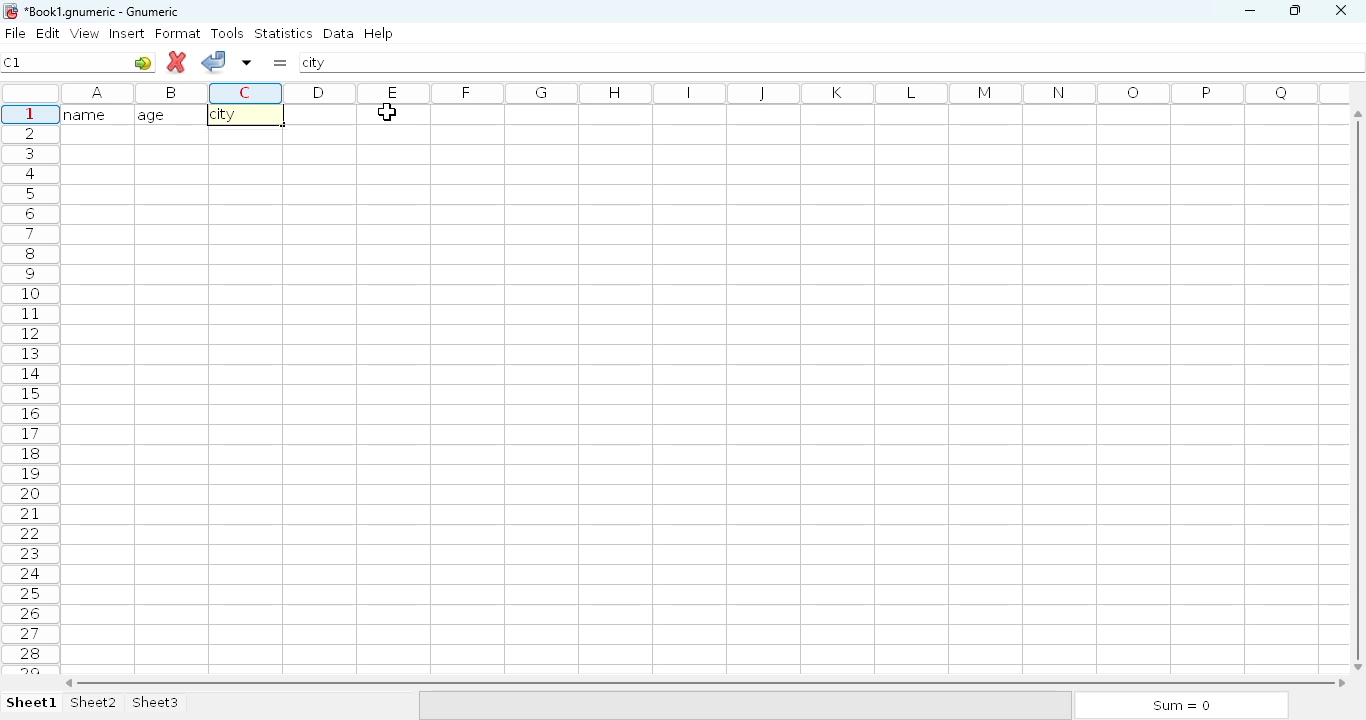 The width and height of the screenshot is (1366, 720). I want to click on help, so click(378, 34).